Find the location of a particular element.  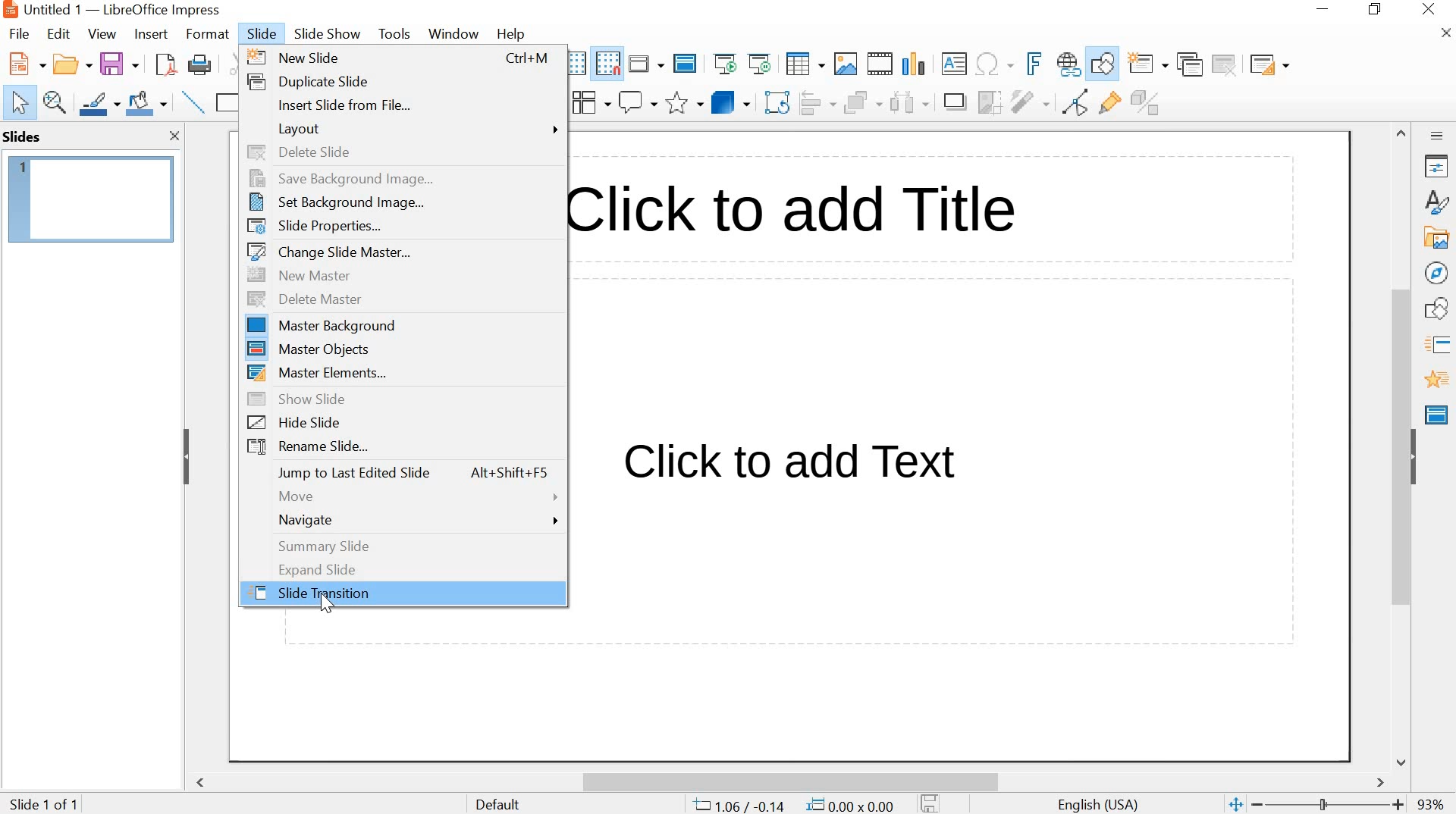

FILR is located at coordinates (21, 36).